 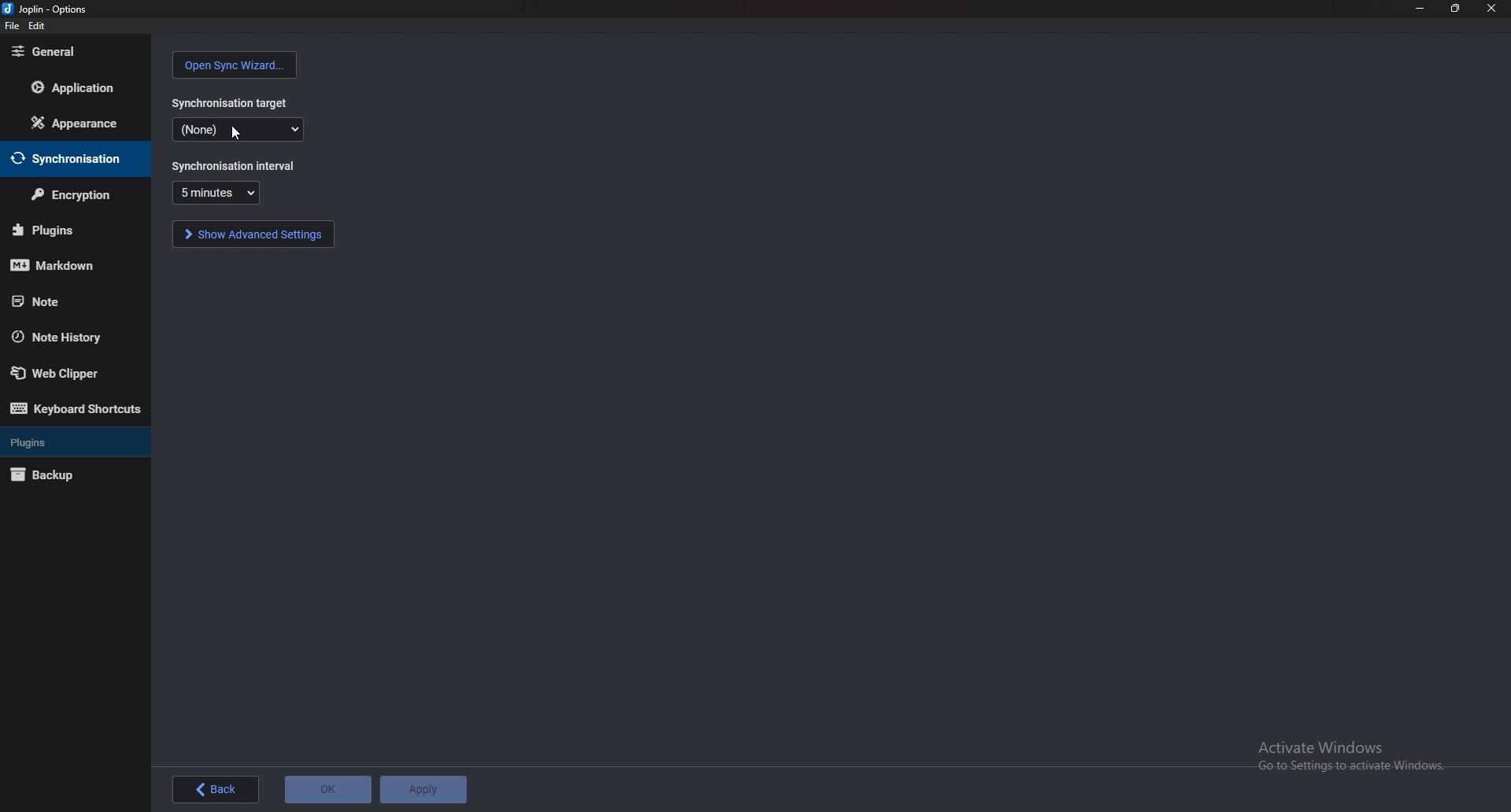 I want to click on General, so click(x=73, y=50).